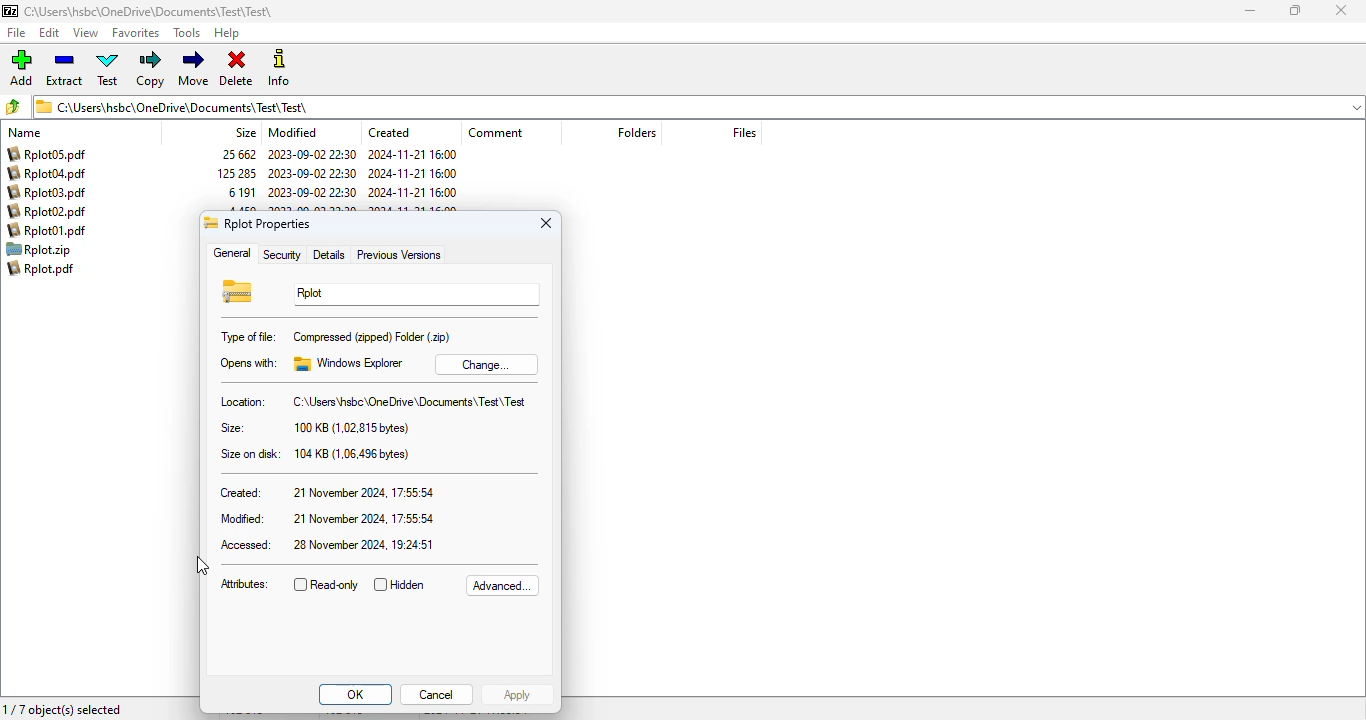 Image resolution: width=1366 pixels, height=720 pixels. Describe the element at coordinates (399, 584) in the screenshot. I see `hidden` at that location.